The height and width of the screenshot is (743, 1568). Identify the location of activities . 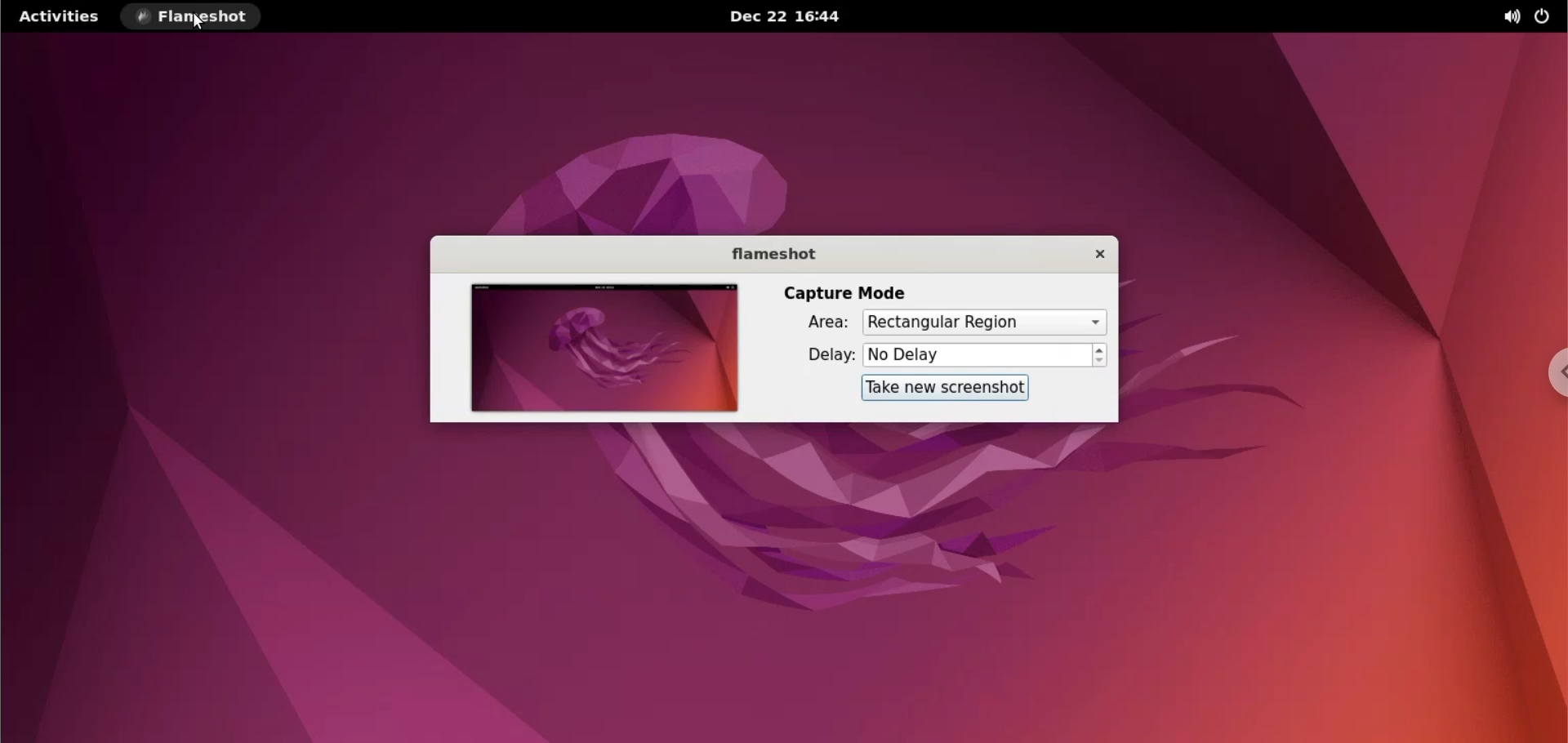
(60, 16).